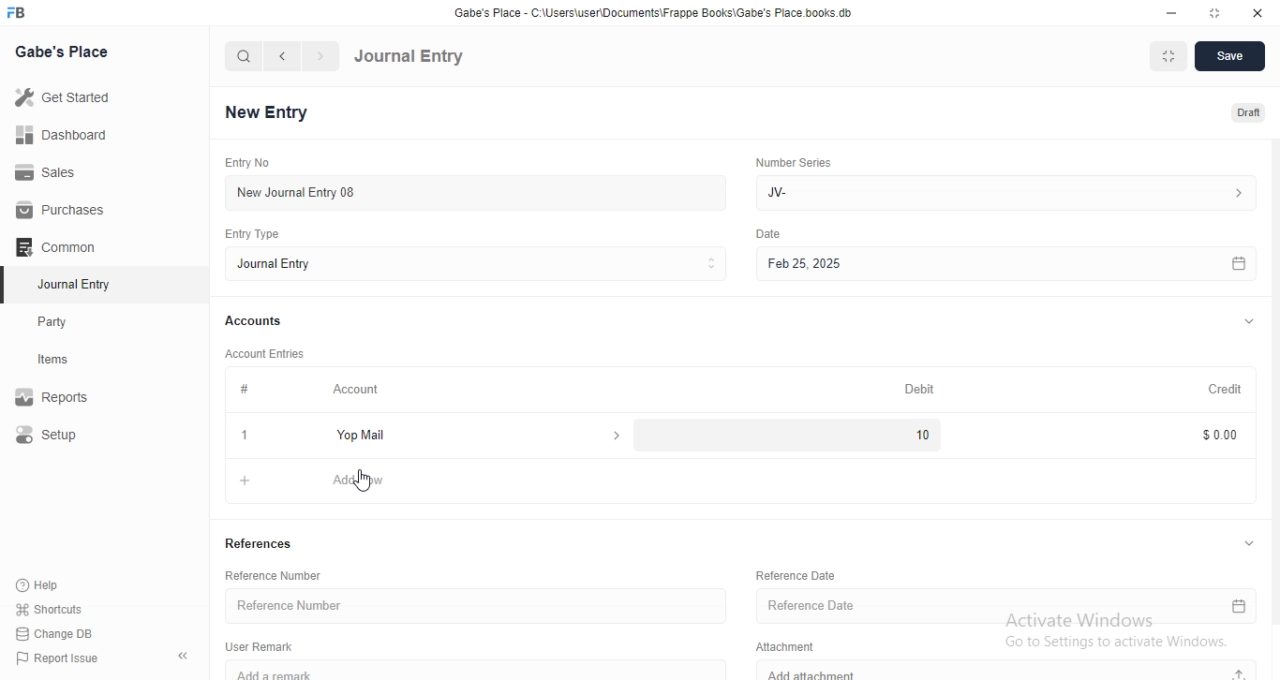 The image size is (1280, 680). Describe the element at coordinates (245, 161) in the screenshot. I see `Entry No` at that location.